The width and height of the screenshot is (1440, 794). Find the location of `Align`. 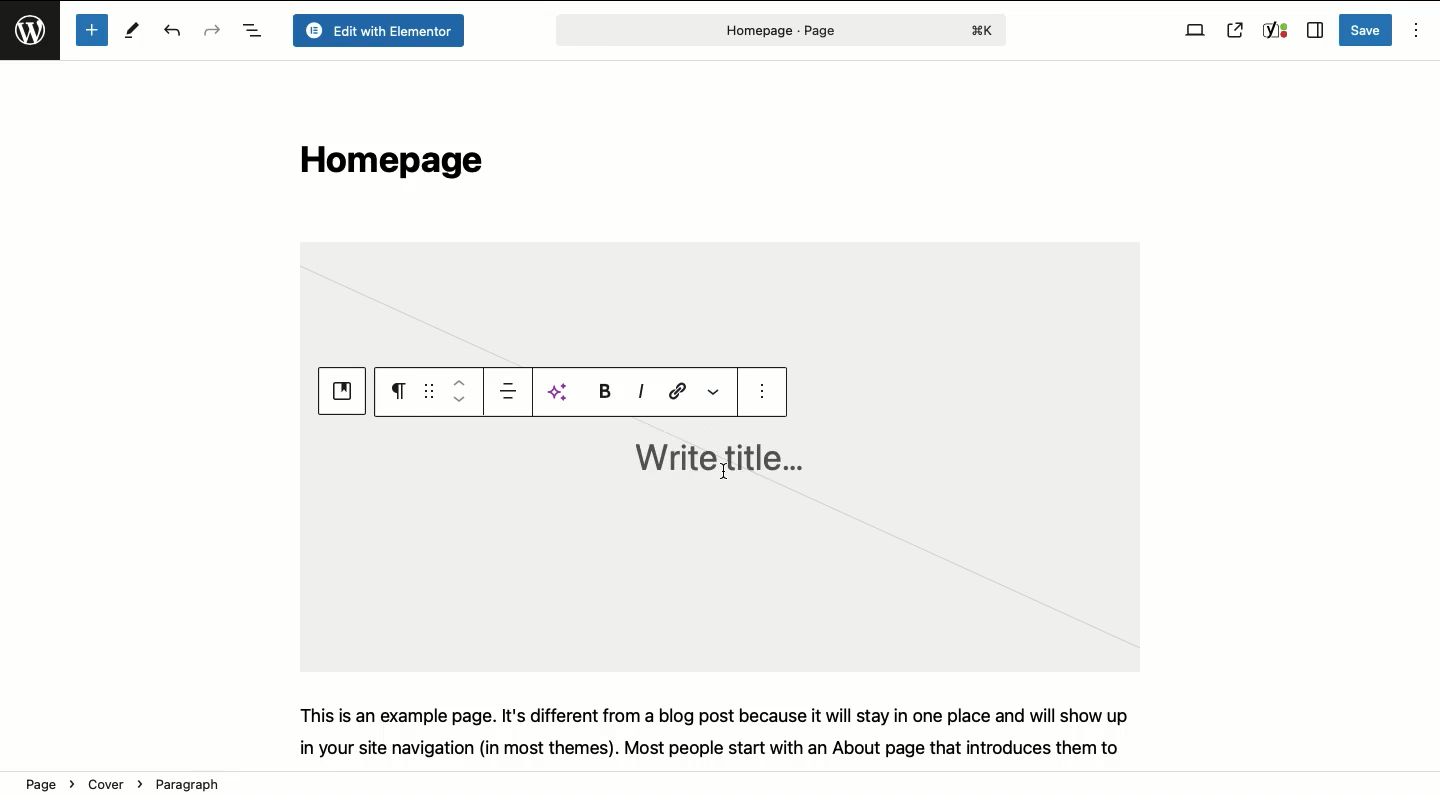

Align is located at coordinates (505, 391).